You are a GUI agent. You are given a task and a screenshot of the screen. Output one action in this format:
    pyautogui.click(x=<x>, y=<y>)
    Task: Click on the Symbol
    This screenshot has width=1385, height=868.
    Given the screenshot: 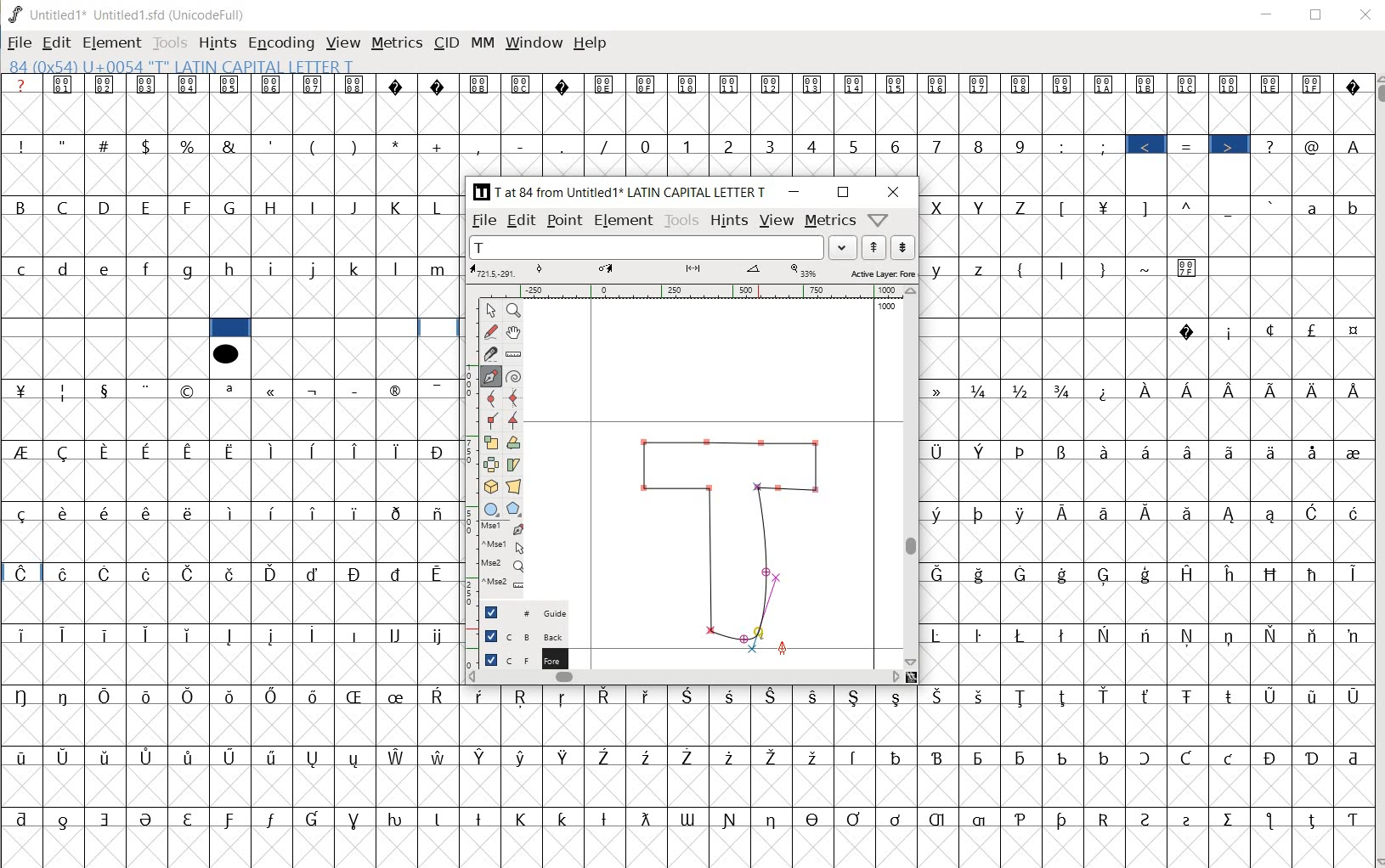 What is the action you would take?
    pyautogui.click(x=1232, y=391)
    